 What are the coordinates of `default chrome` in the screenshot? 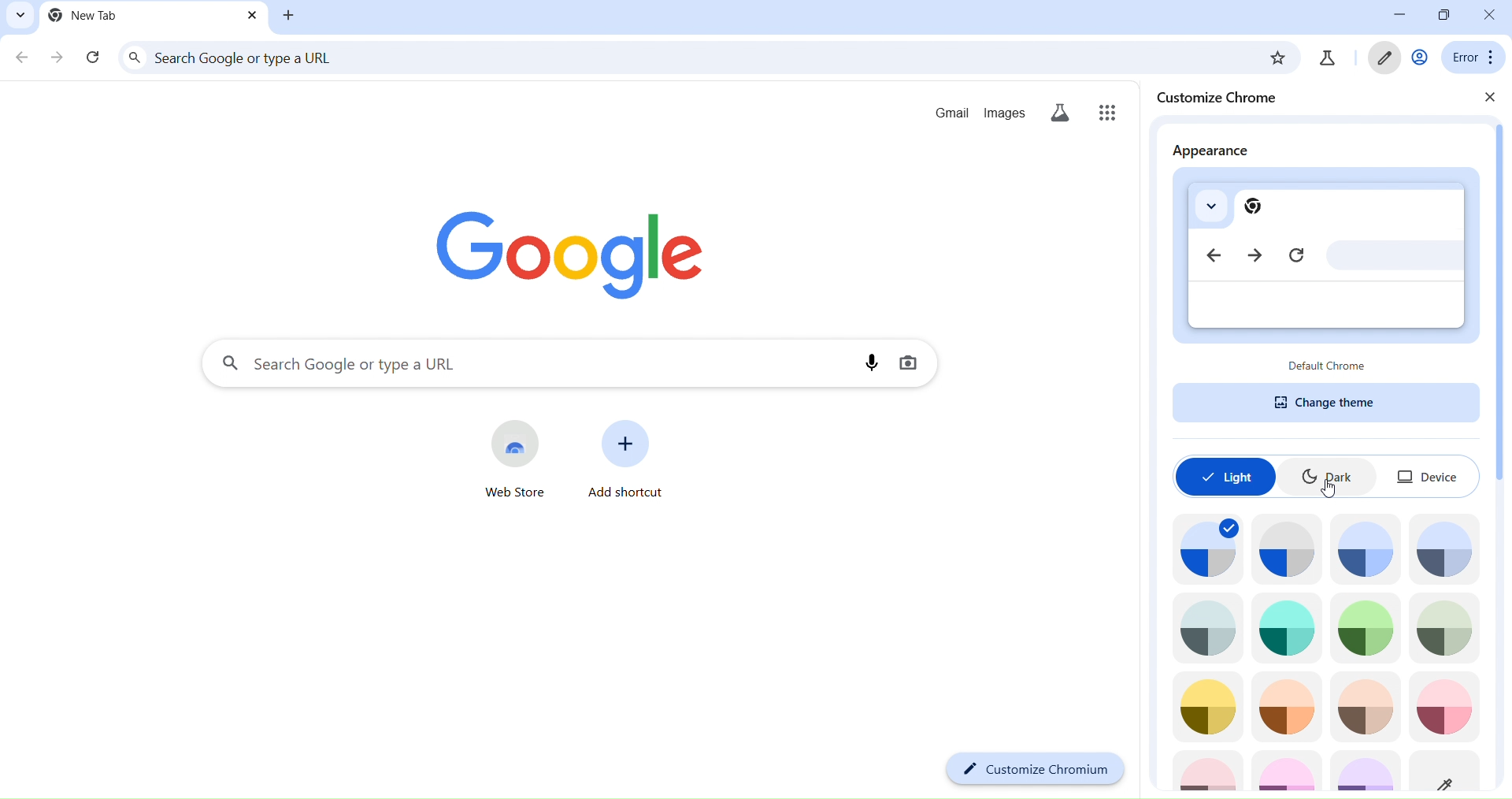 It's located at (1329, 366).